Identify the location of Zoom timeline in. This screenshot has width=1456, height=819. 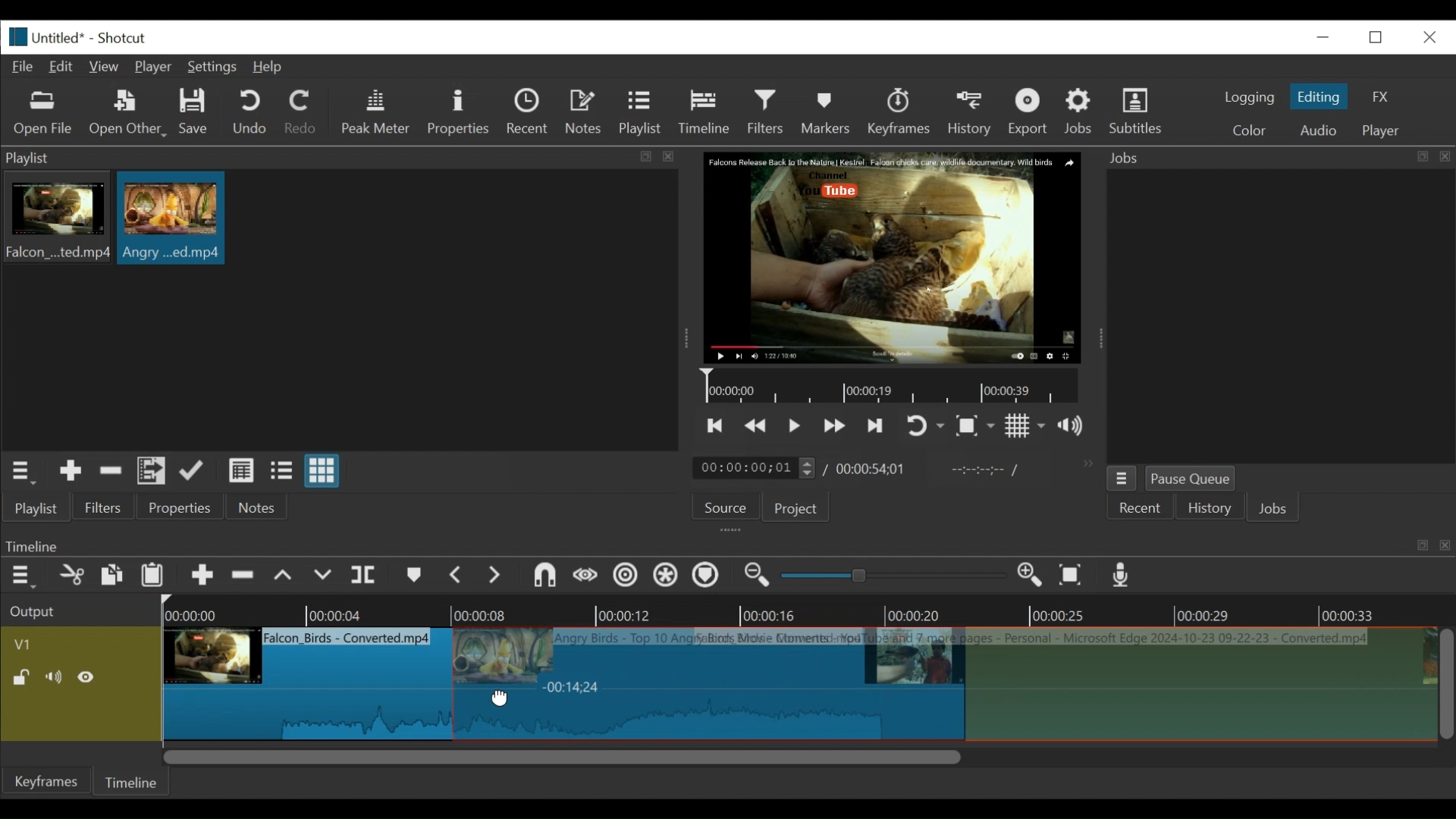
(755, 577).